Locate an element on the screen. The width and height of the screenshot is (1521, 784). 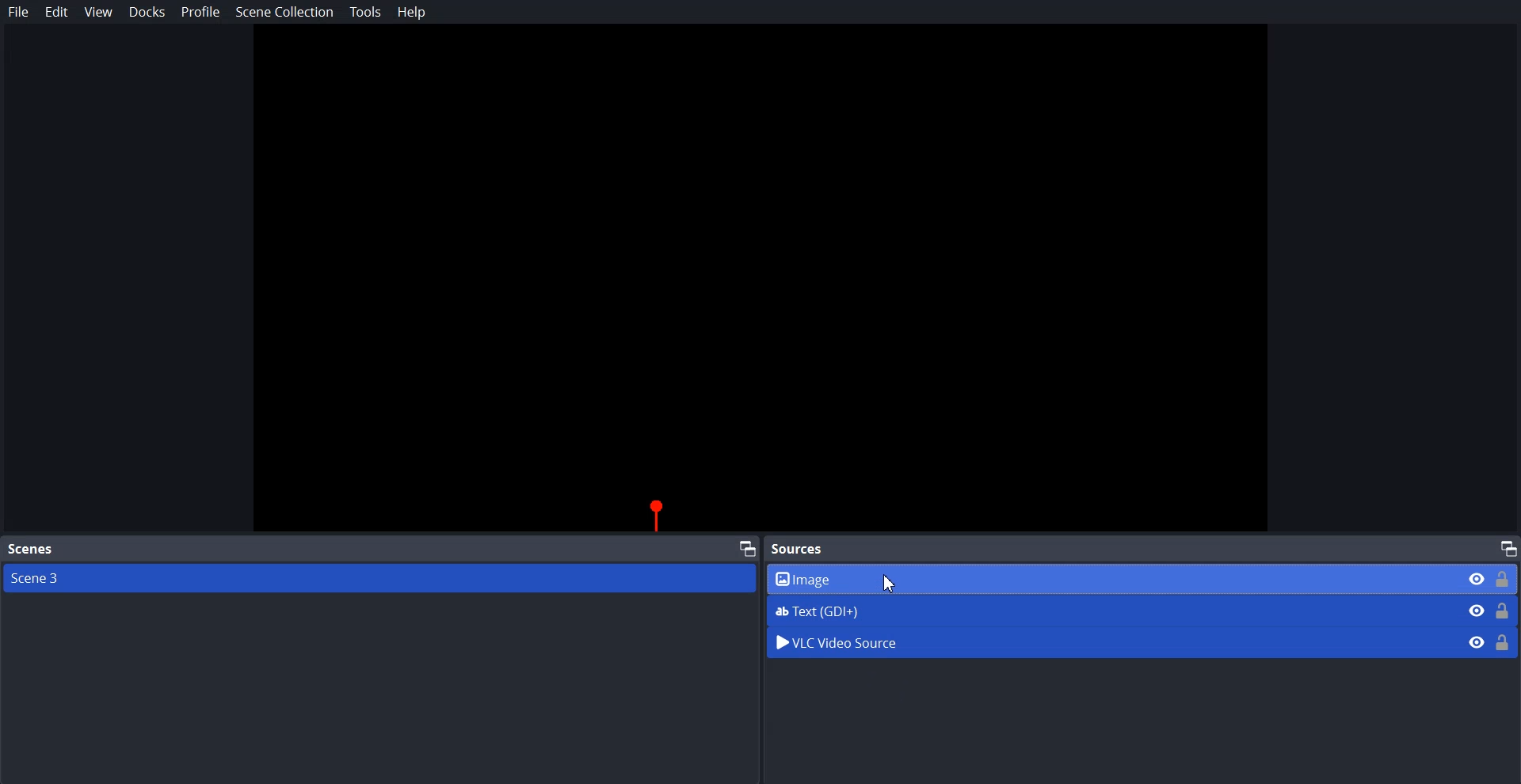
Profile is located at coordinates (201, 11).